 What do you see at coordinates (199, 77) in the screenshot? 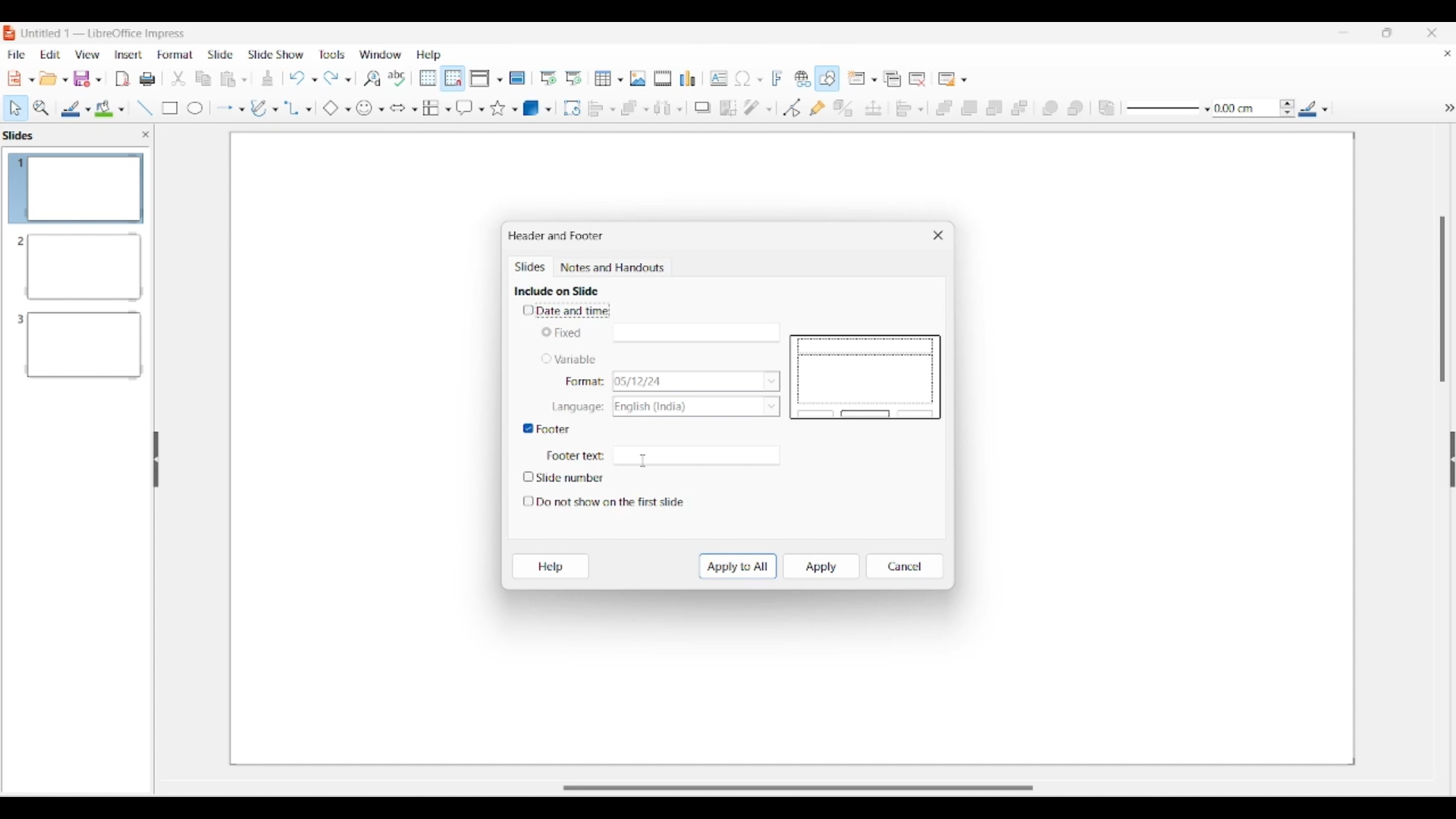
I see `Copy` at bounding box center [199, 77].